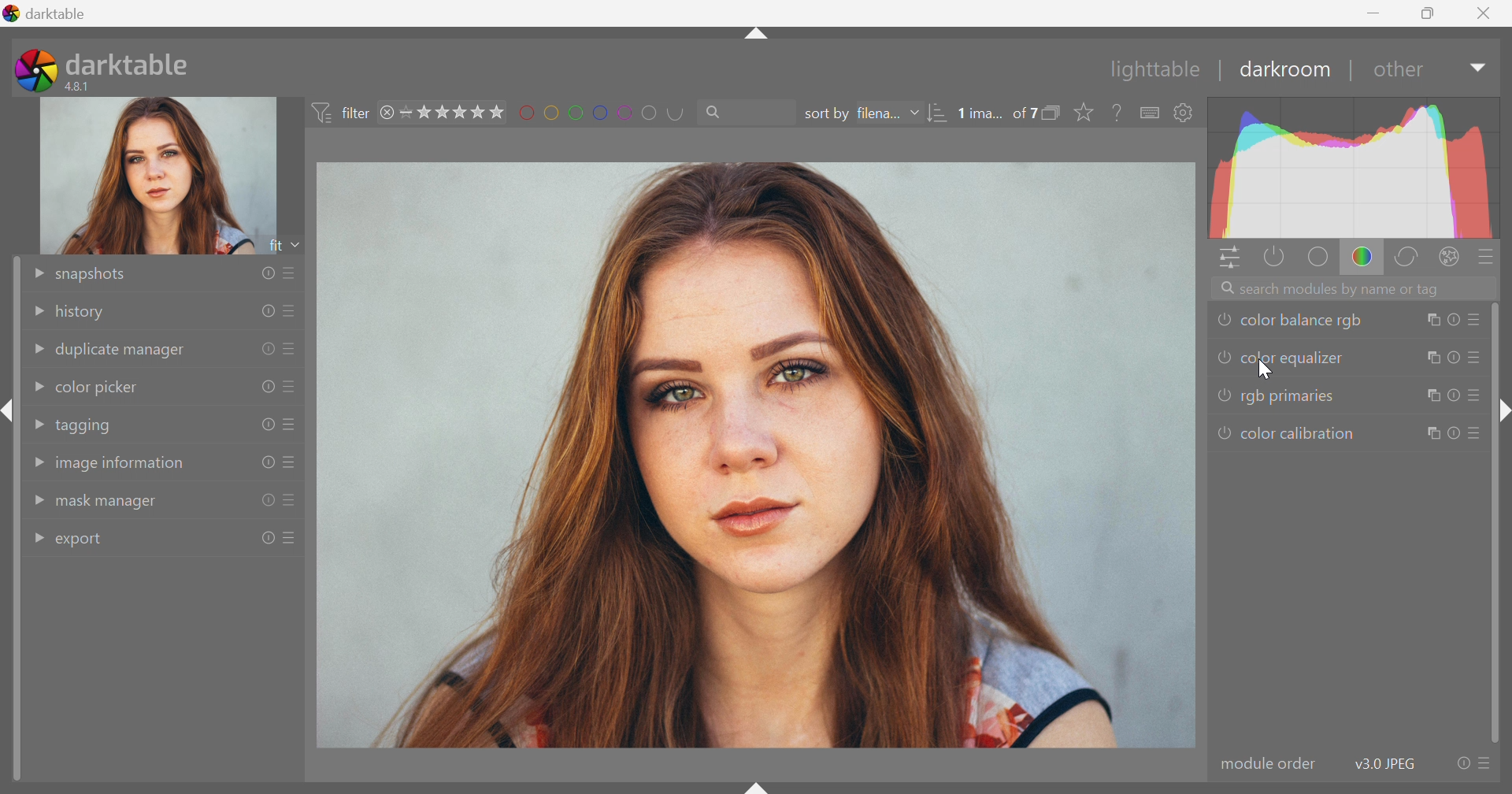 Image resolution: width=1512 pixels, height=794 pixels. I want to click on remove filter, so click(387, 113).